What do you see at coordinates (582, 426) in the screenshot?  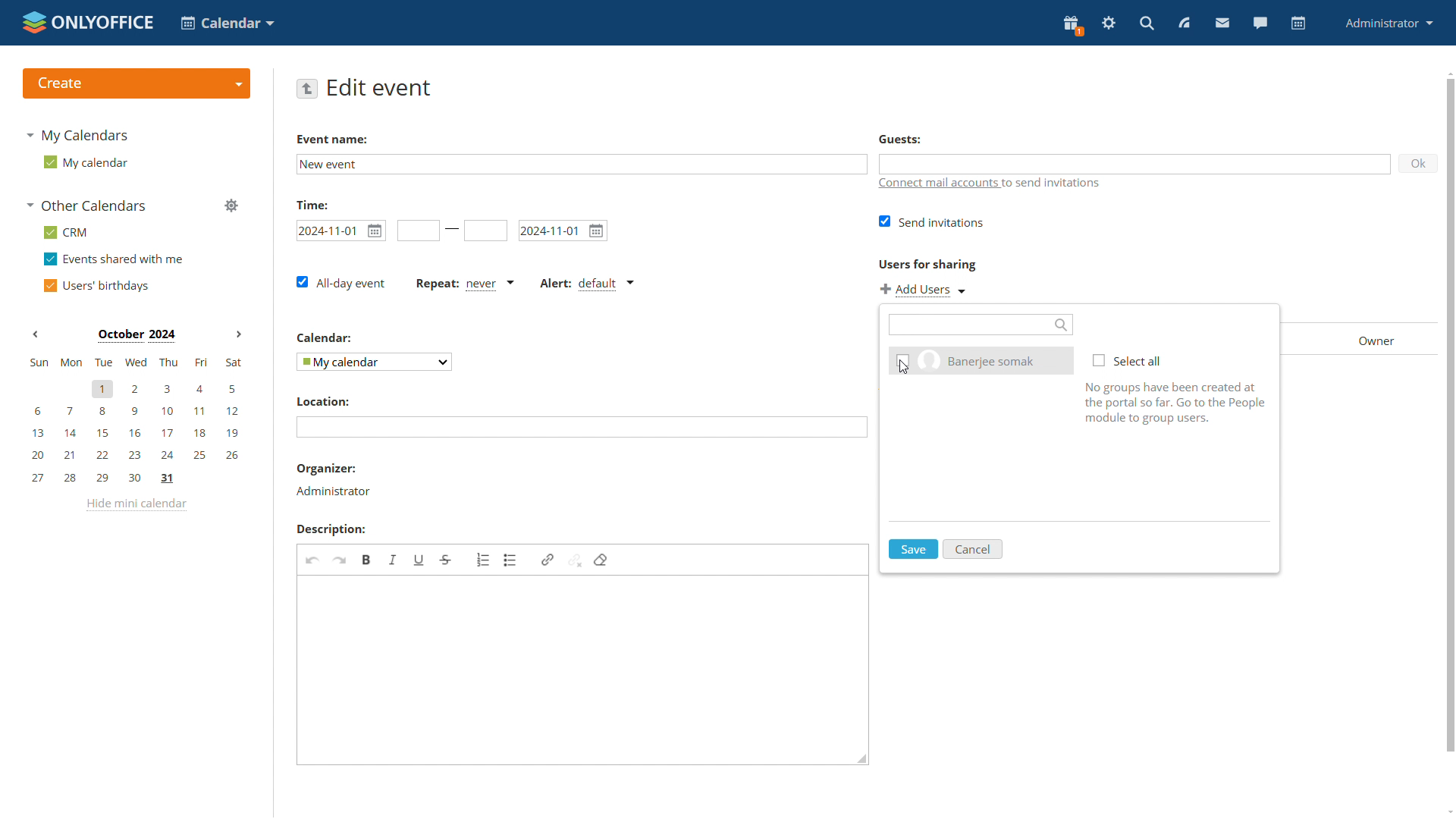 I see `add location` at bounding box center [582, 426].